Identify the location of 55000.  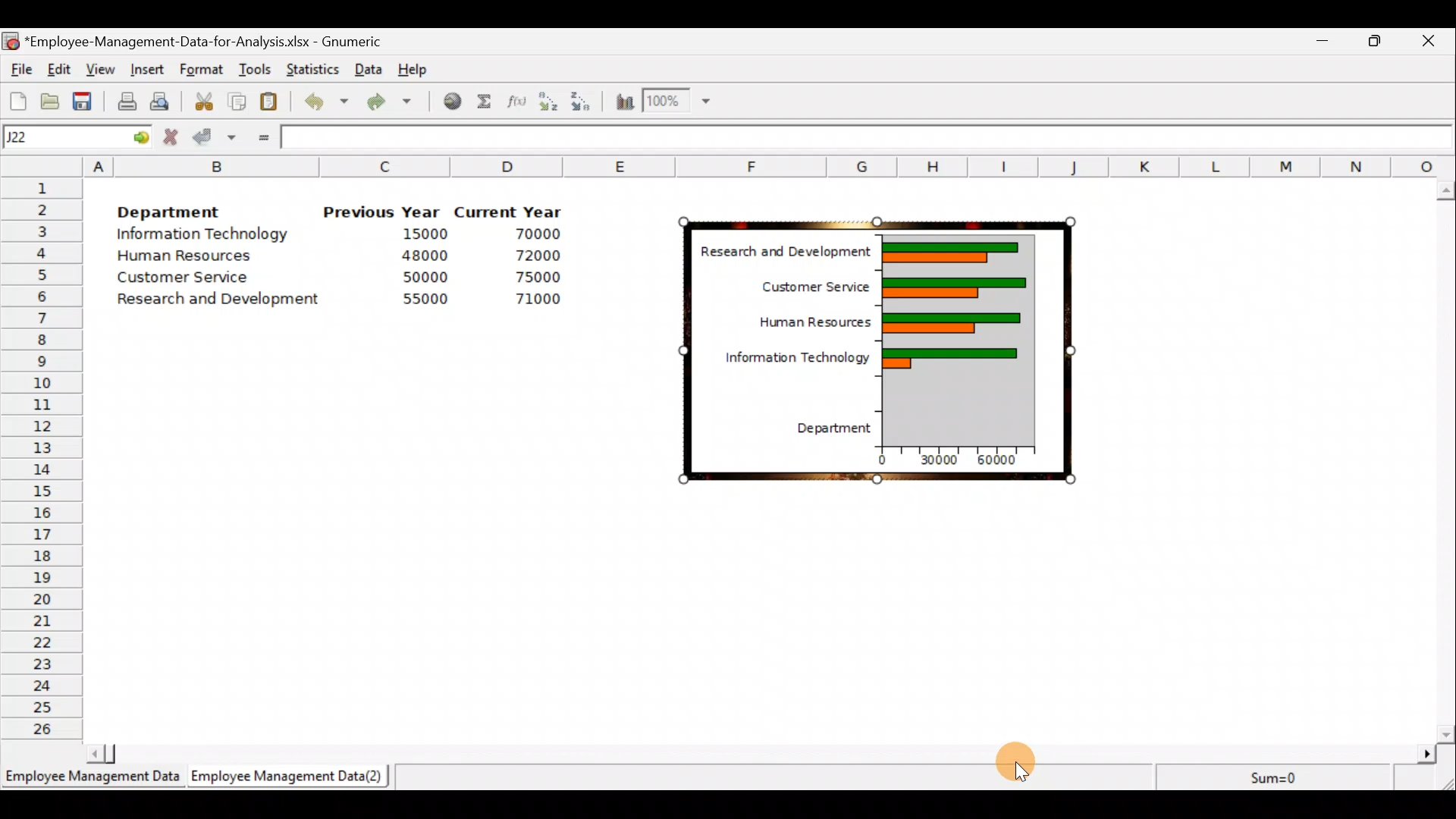
(423, 300).